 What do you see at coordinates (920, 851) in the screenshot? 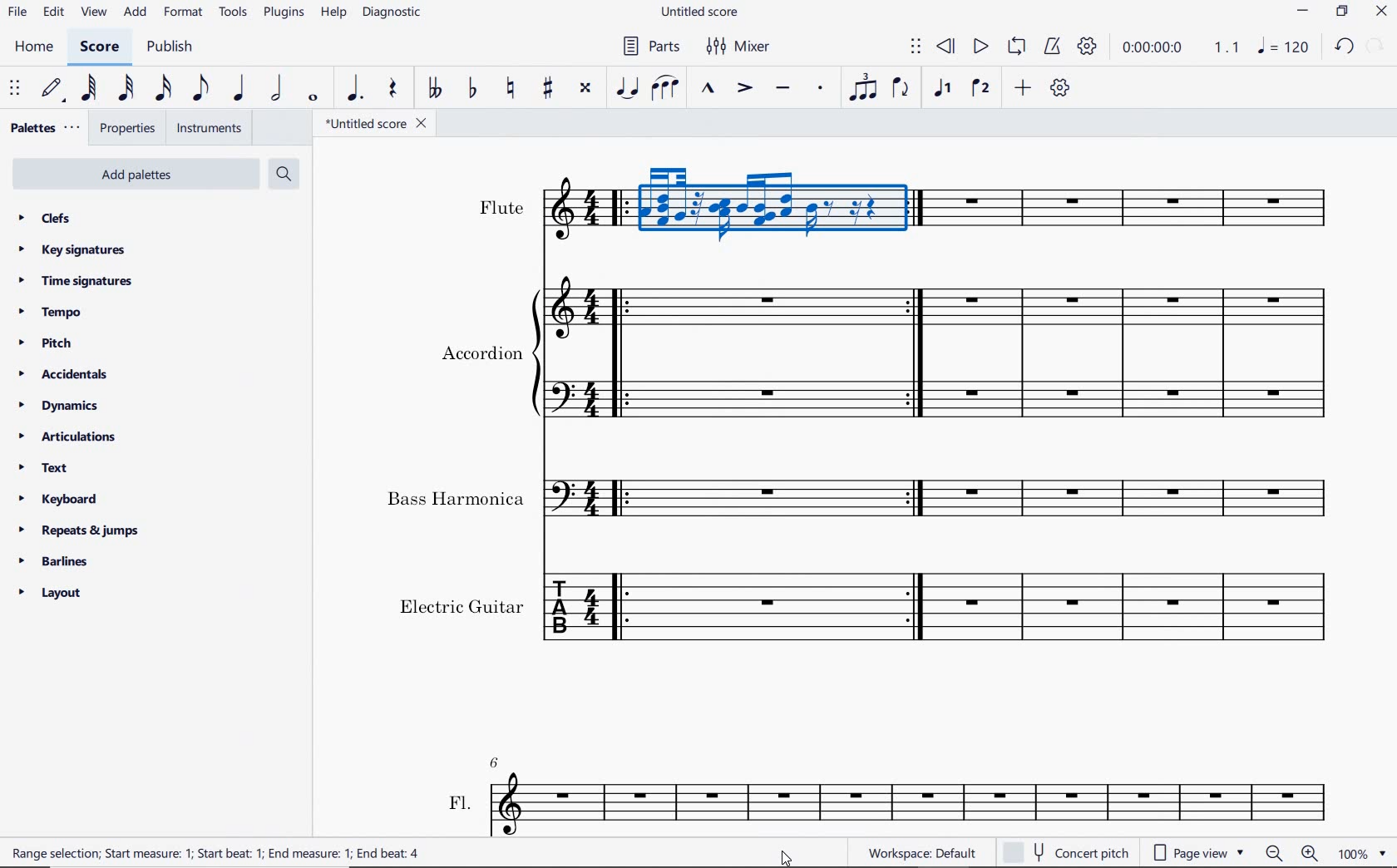
I see `workspace:default` at bounding box center [920, 851].